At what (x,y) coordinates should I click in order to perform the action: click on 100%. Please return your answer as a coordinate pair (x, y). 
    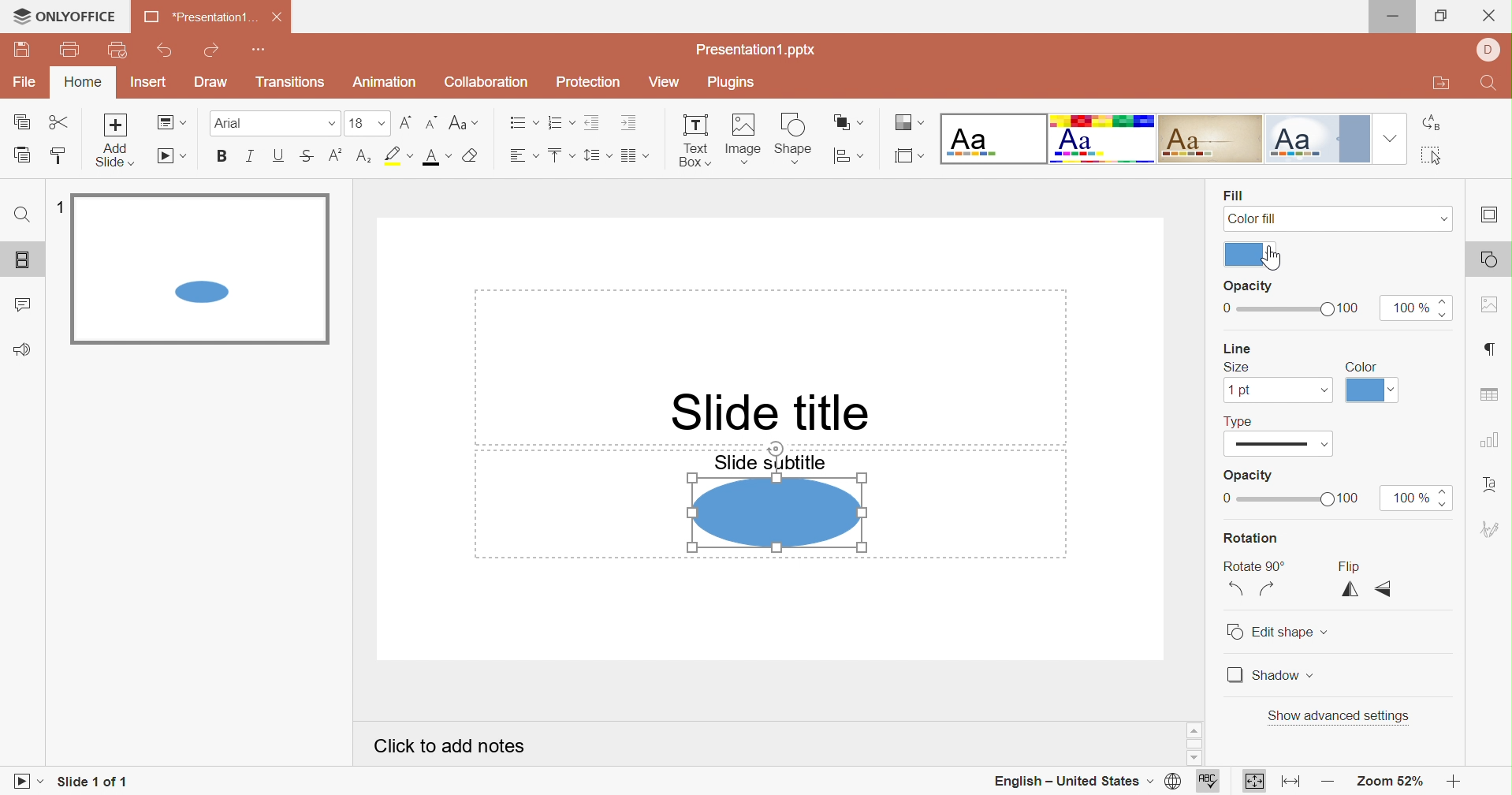
    Looking at the image, I should click on (1418, 308).